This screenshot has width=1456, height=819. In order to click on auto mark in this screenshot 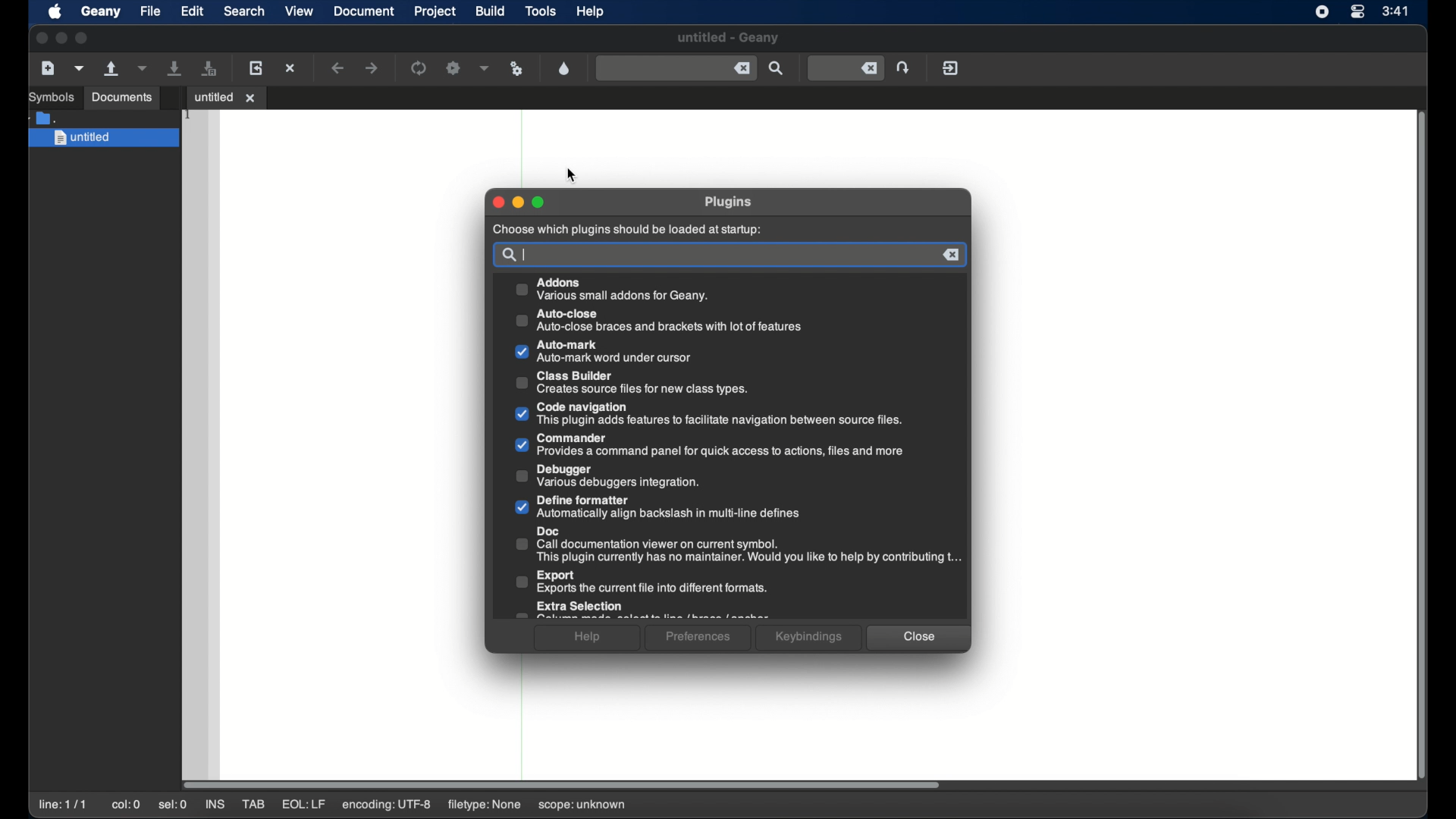, I will do `click(603, 350)`.